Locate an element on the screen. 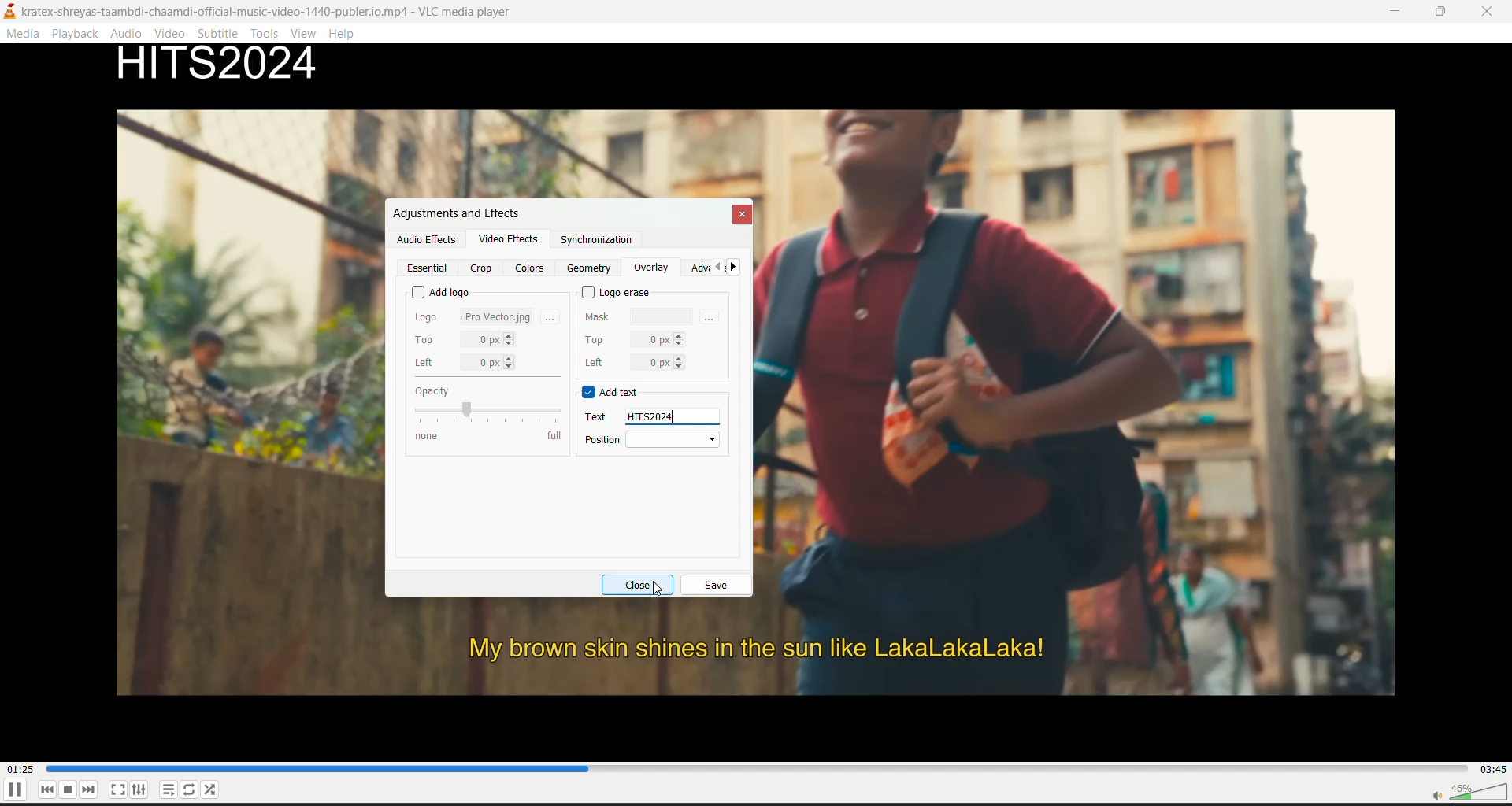 The width and height of the screenshot is (1512, 806). playback is located at coordinates (75, 34).